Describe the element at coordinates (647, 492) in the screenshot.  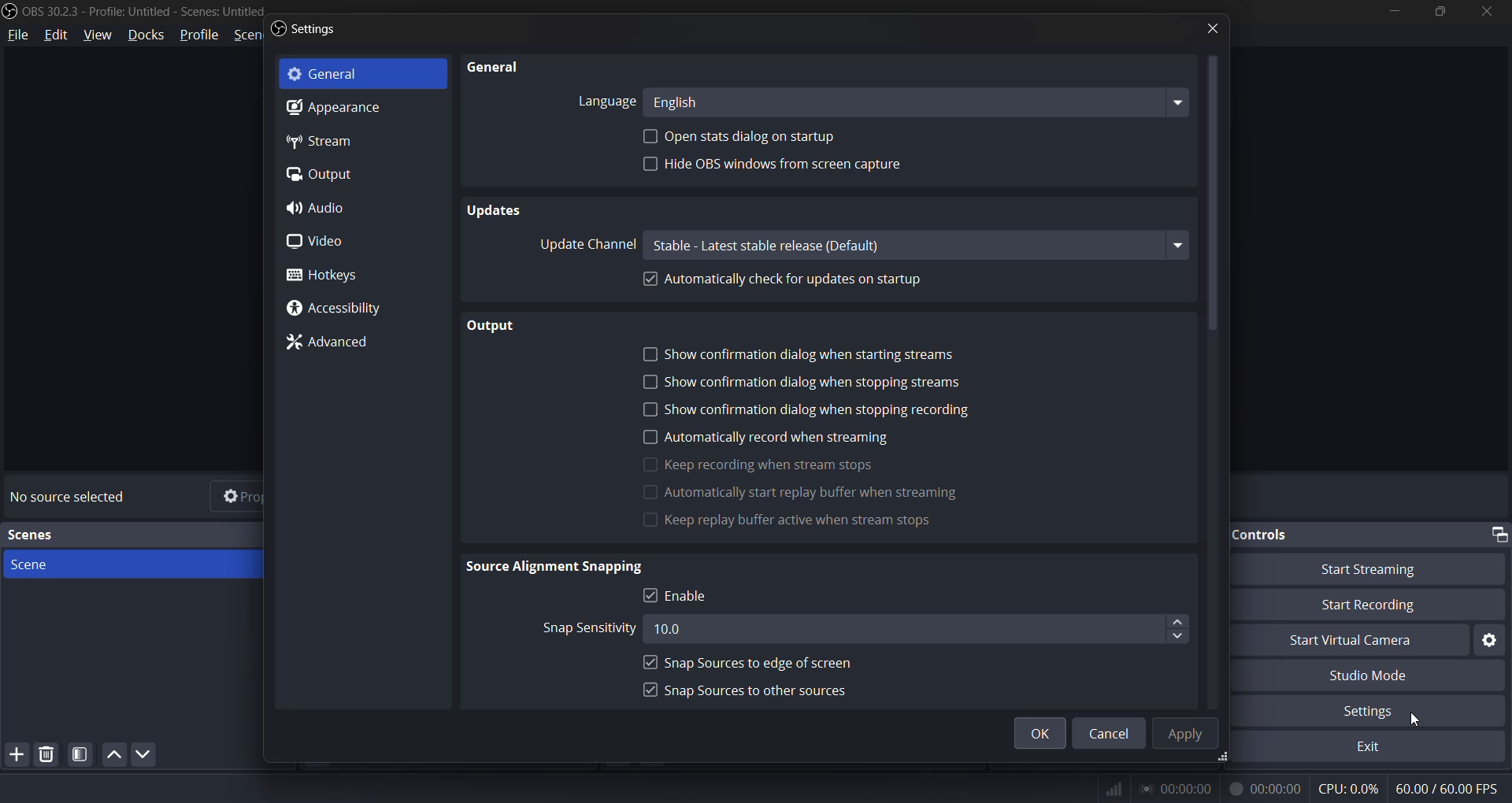
I see `checkbox` at that location.